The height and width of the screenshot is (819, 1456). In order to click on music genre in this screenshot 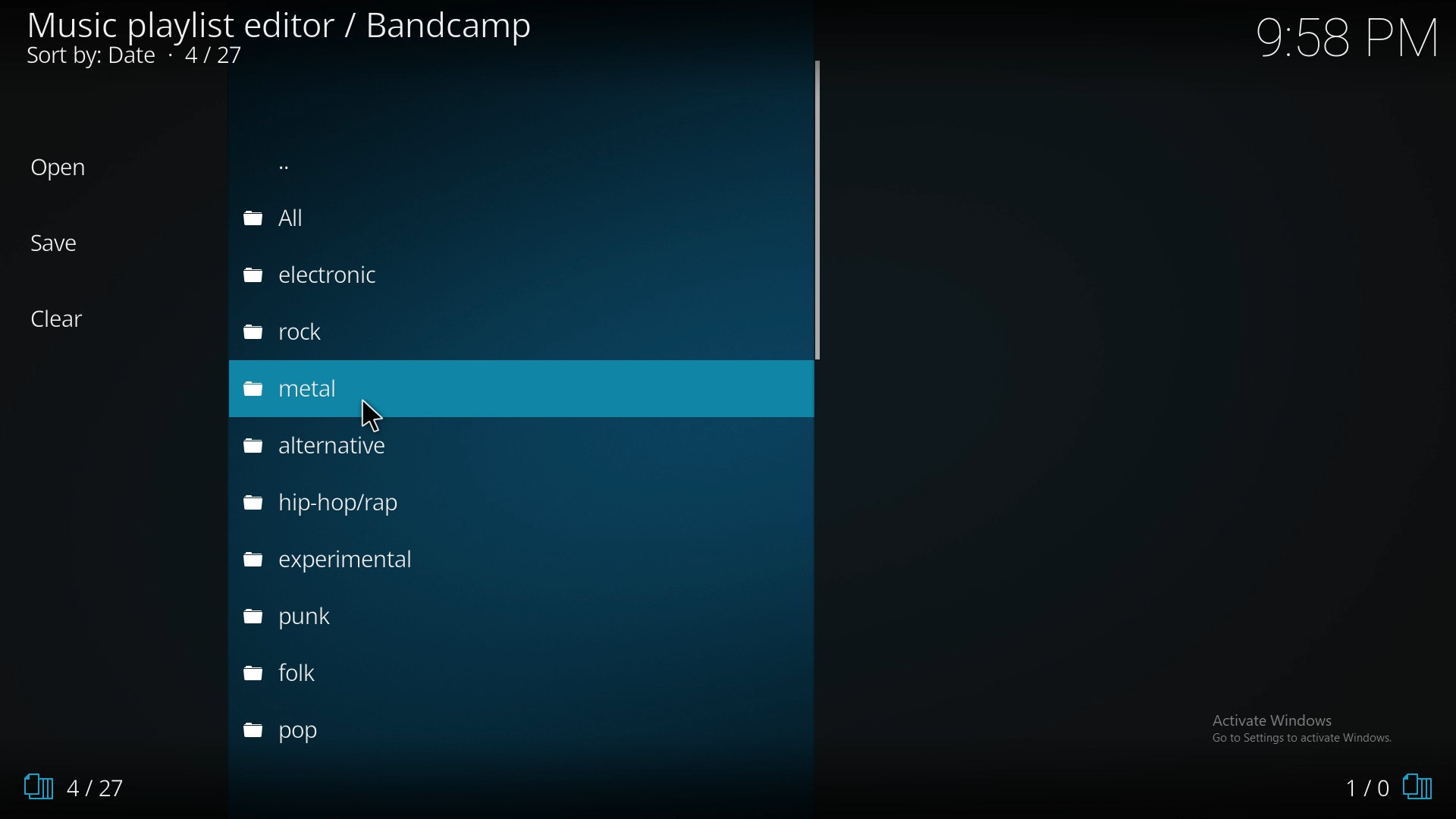, I will do `click(390, 331)`.